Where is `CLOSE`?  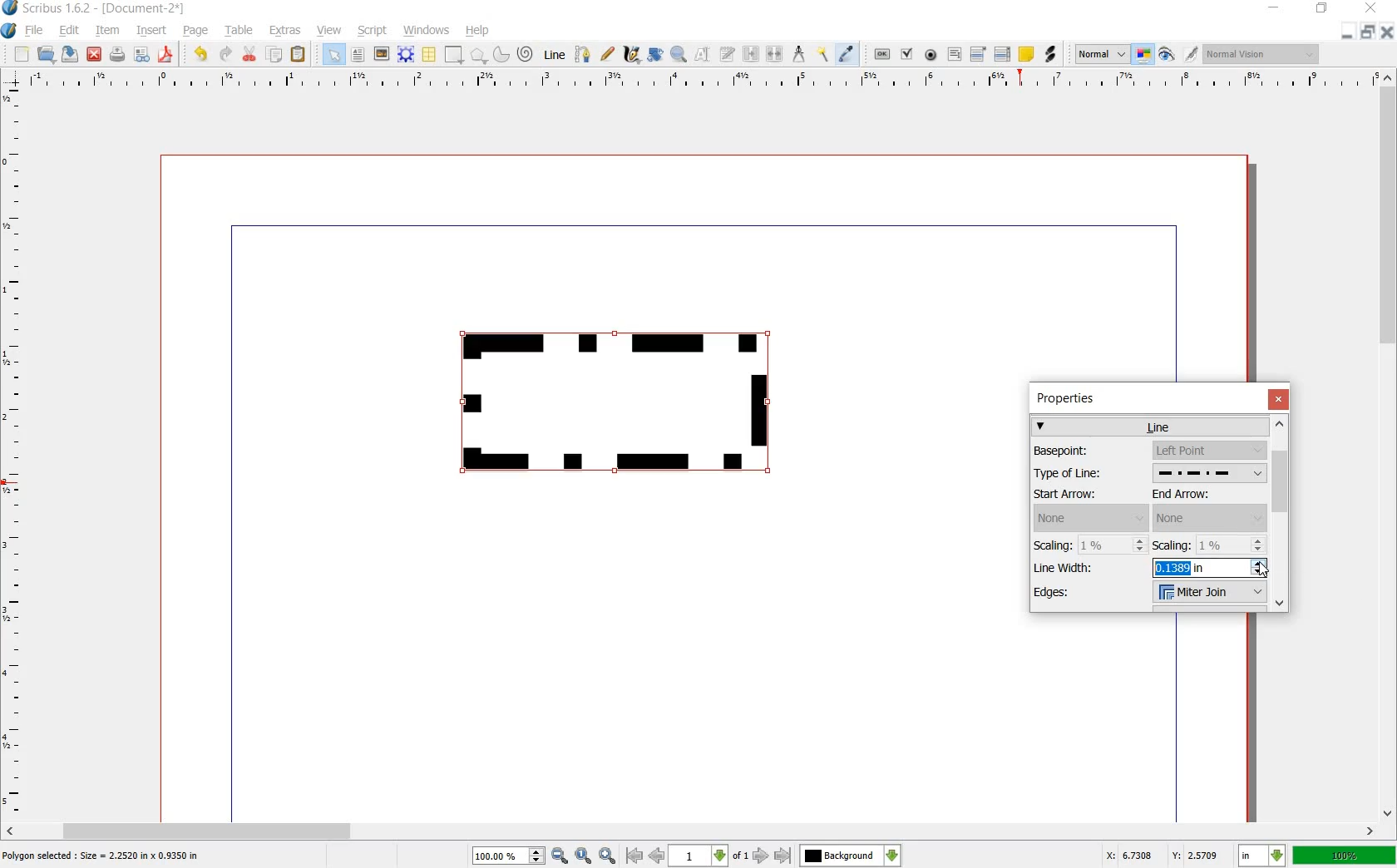
CLOSE is located at coordinates (94, 54).